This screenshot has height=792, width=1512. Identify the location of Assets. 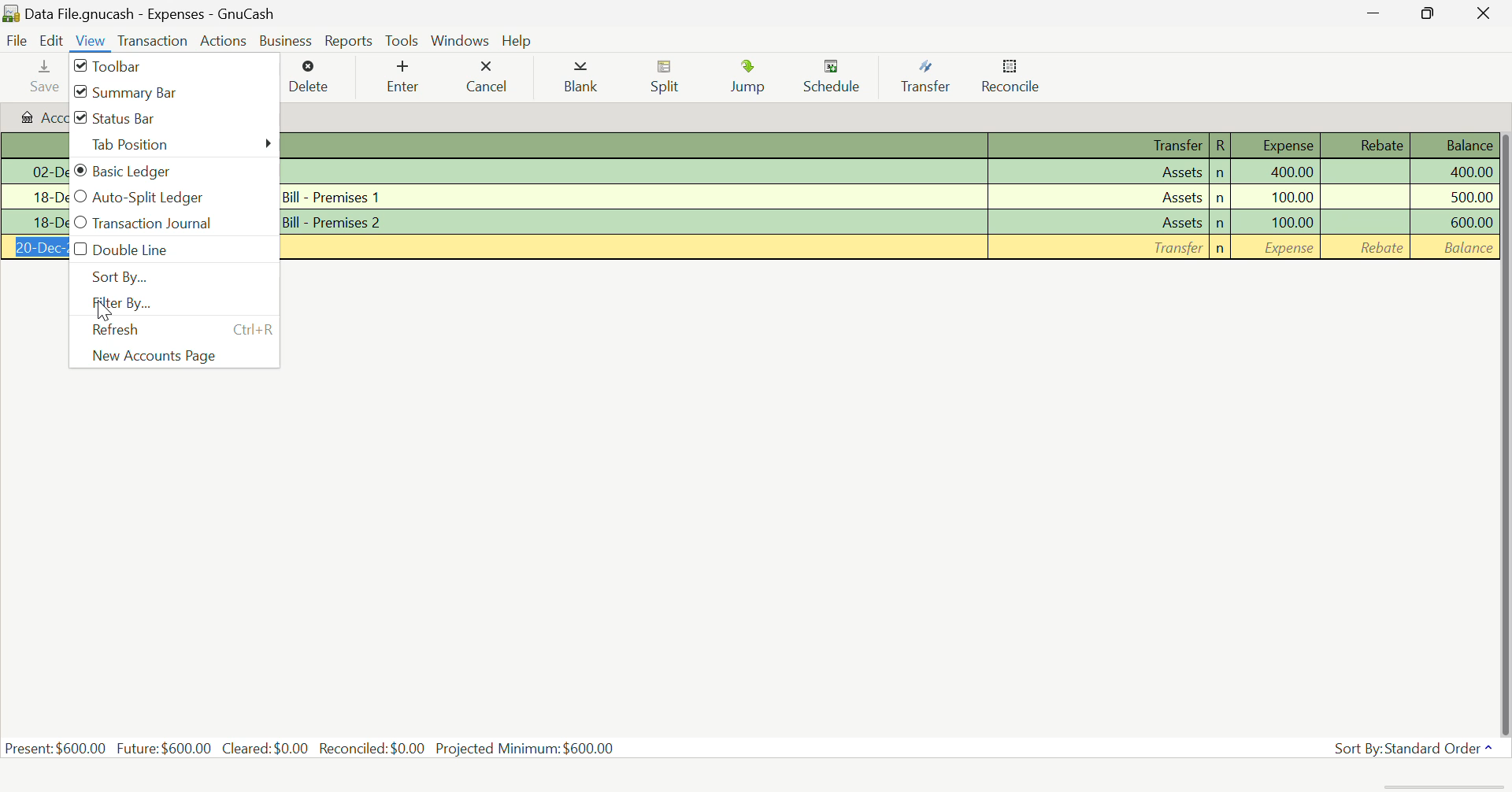
(1098, 196).